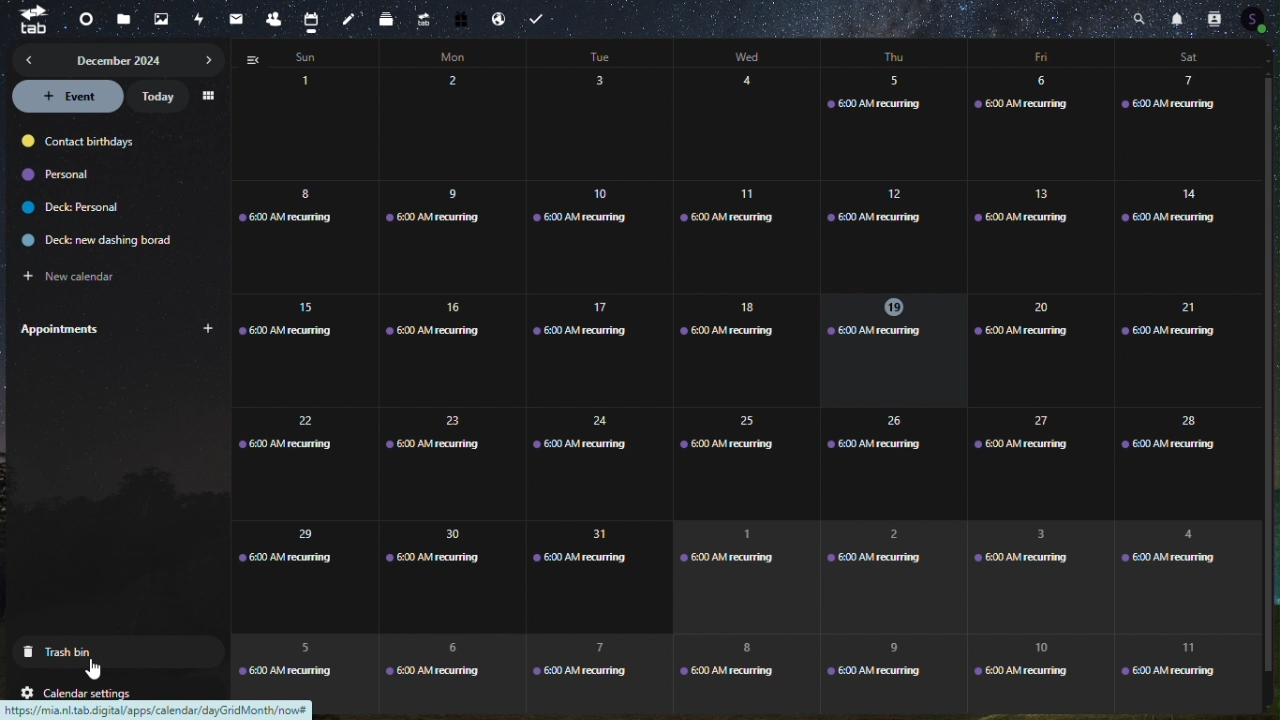 This screenshot has width=1280, height=720. I want to click on 5, so click(895, 122).